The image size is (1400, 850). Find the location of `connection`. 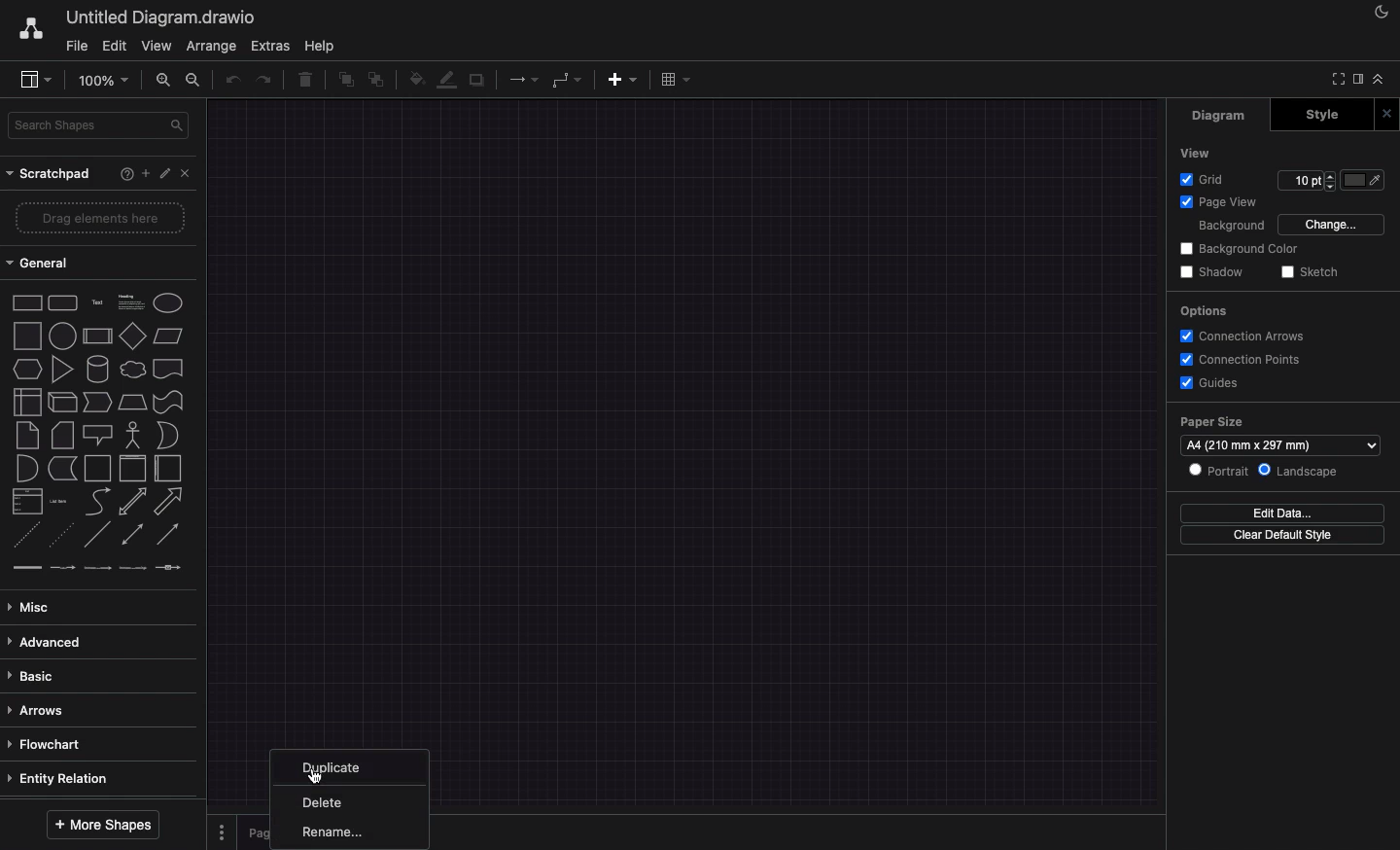

connection is located at coordinates (523, 81).